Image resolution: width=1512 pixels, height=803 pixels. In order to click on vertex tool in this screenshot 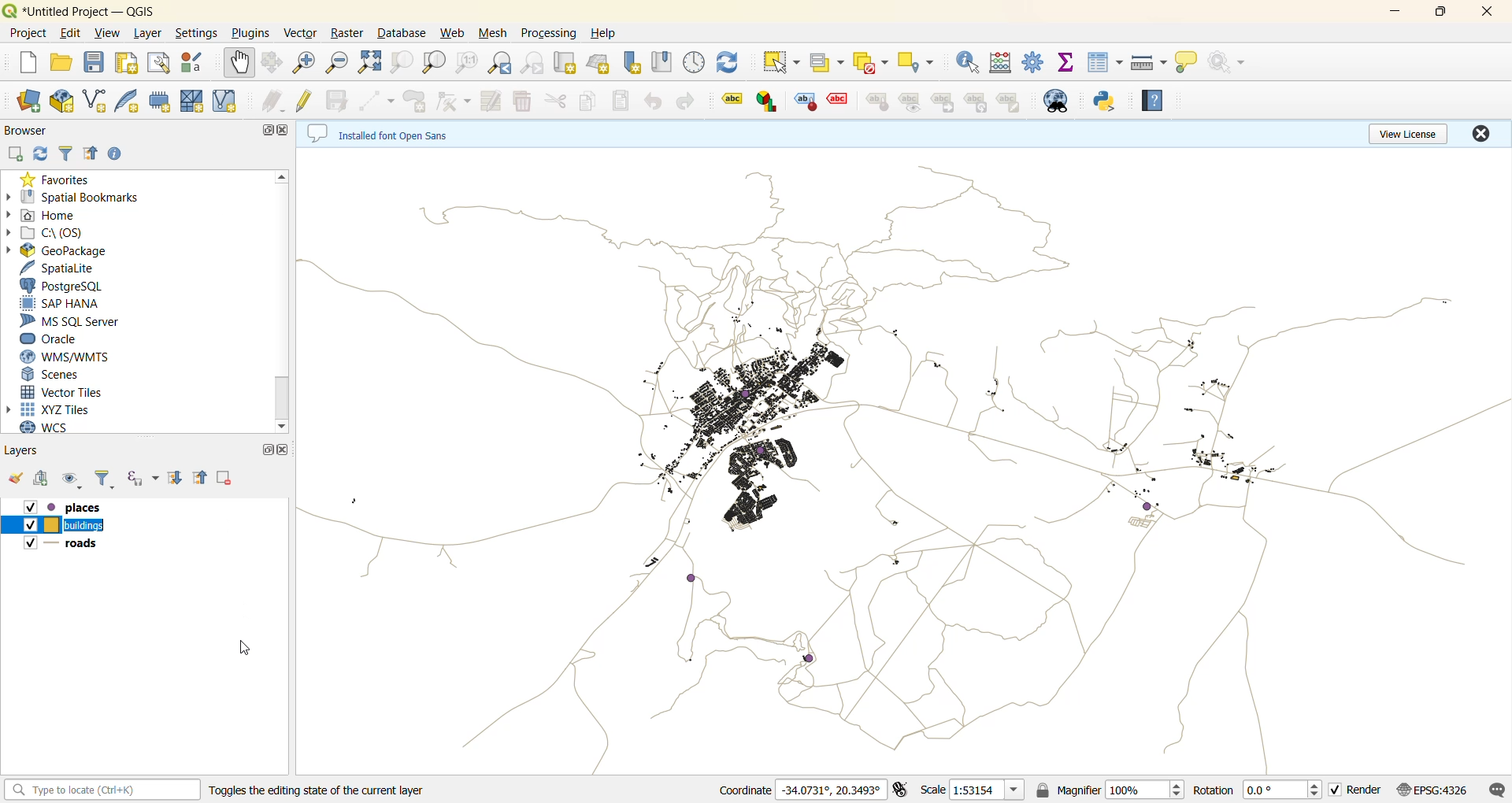, I will do `click(457, 101)`.